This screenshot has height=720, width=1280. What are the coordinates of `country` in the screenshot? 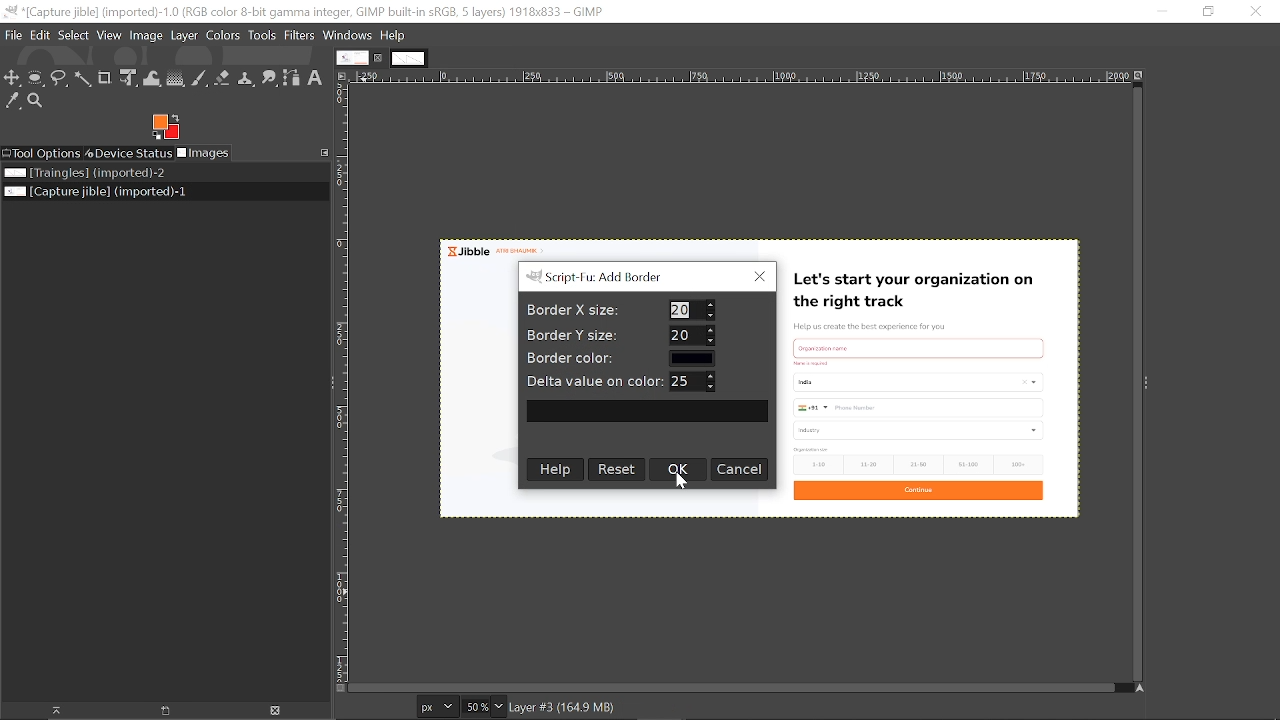 It's located at (918, 381).